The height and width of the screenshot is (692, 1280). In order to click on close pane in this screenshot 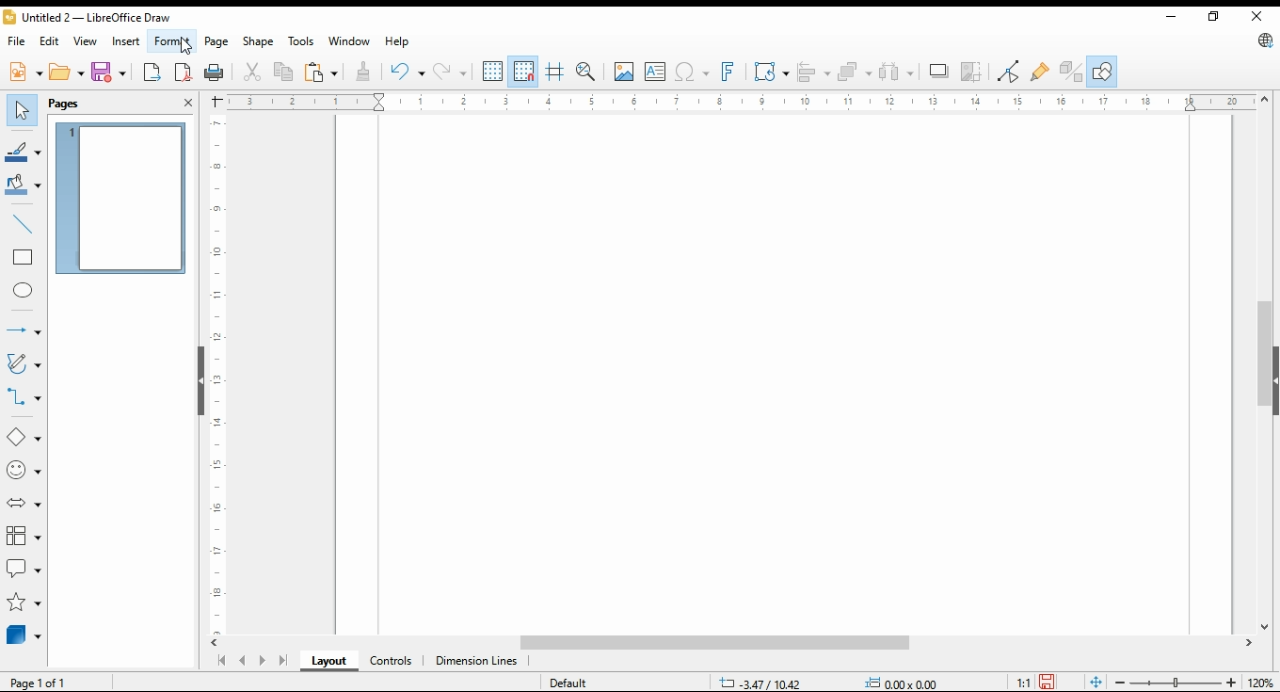, I will do `click(189, 102)`.